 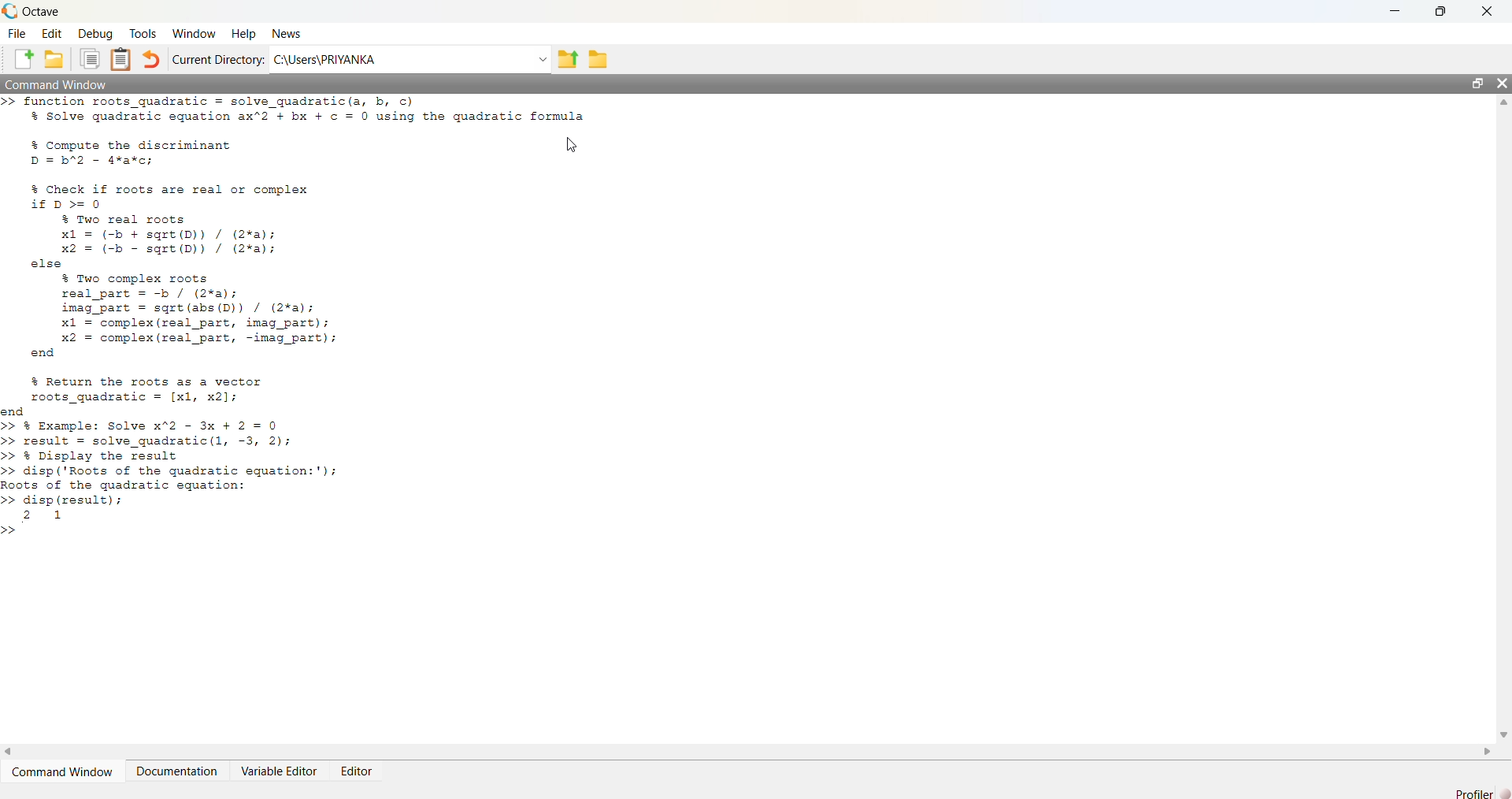 I want to click on Command Window, so click(x=61, y=82).